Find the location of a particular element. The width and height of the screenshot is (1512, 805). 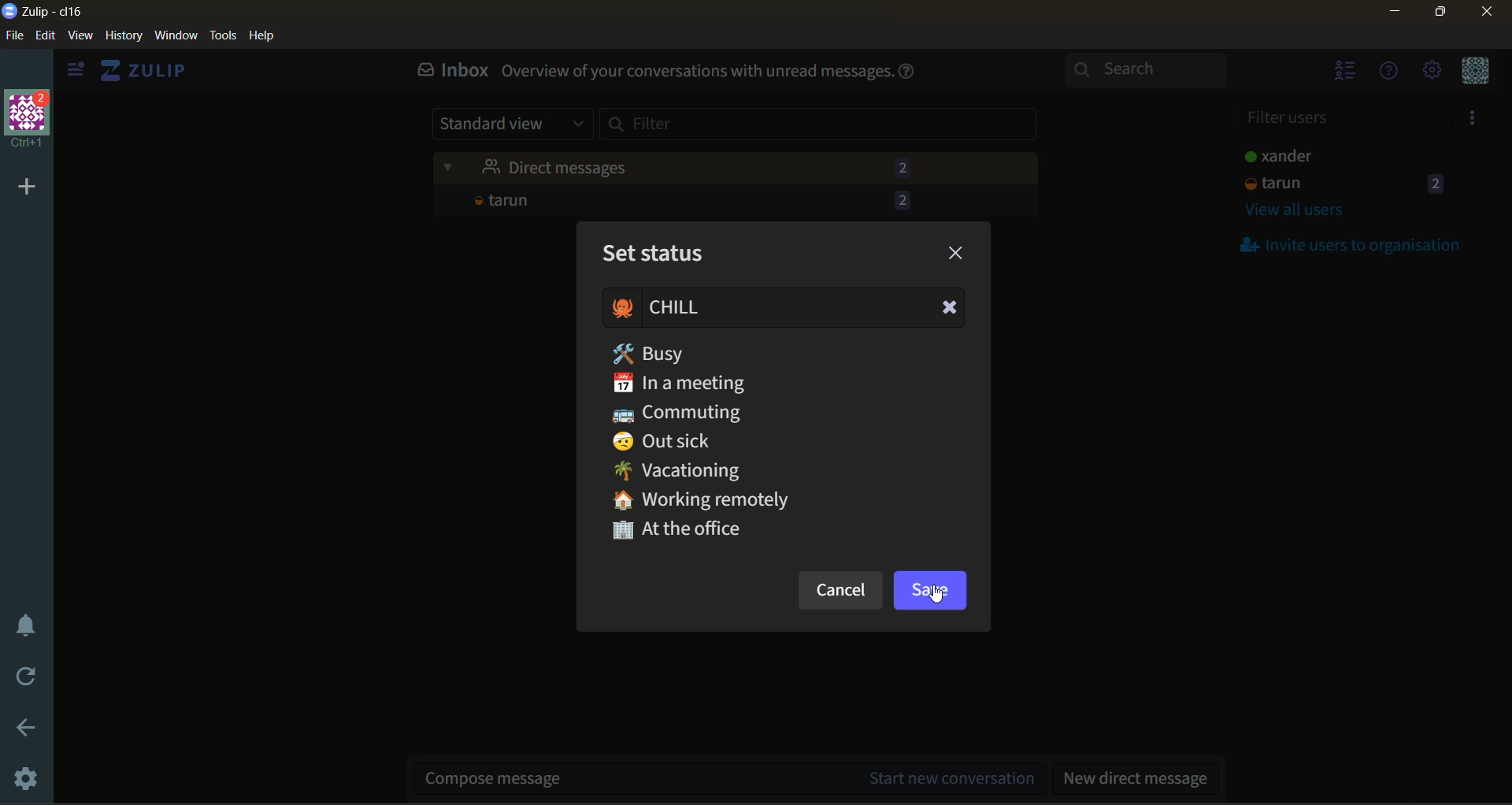

settings menu is located at coordinates (1435, 72).